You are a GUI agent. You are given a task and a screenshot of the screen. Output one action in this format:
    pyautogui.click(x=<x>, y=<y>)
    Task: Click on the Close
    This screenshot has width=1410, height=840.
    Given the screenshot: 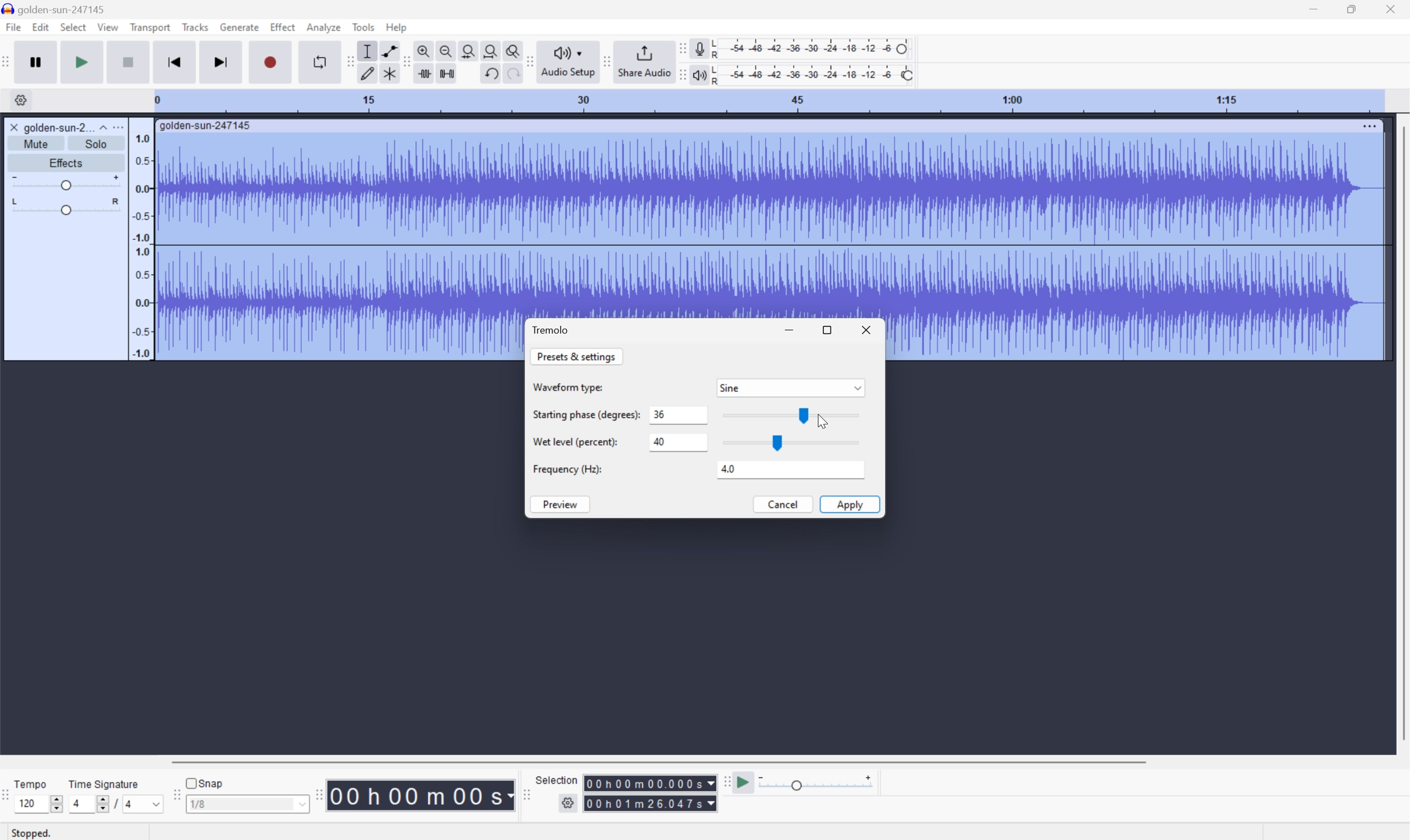 What is the action you would take?
    pyautogui.click(x=1394, y=8)
    